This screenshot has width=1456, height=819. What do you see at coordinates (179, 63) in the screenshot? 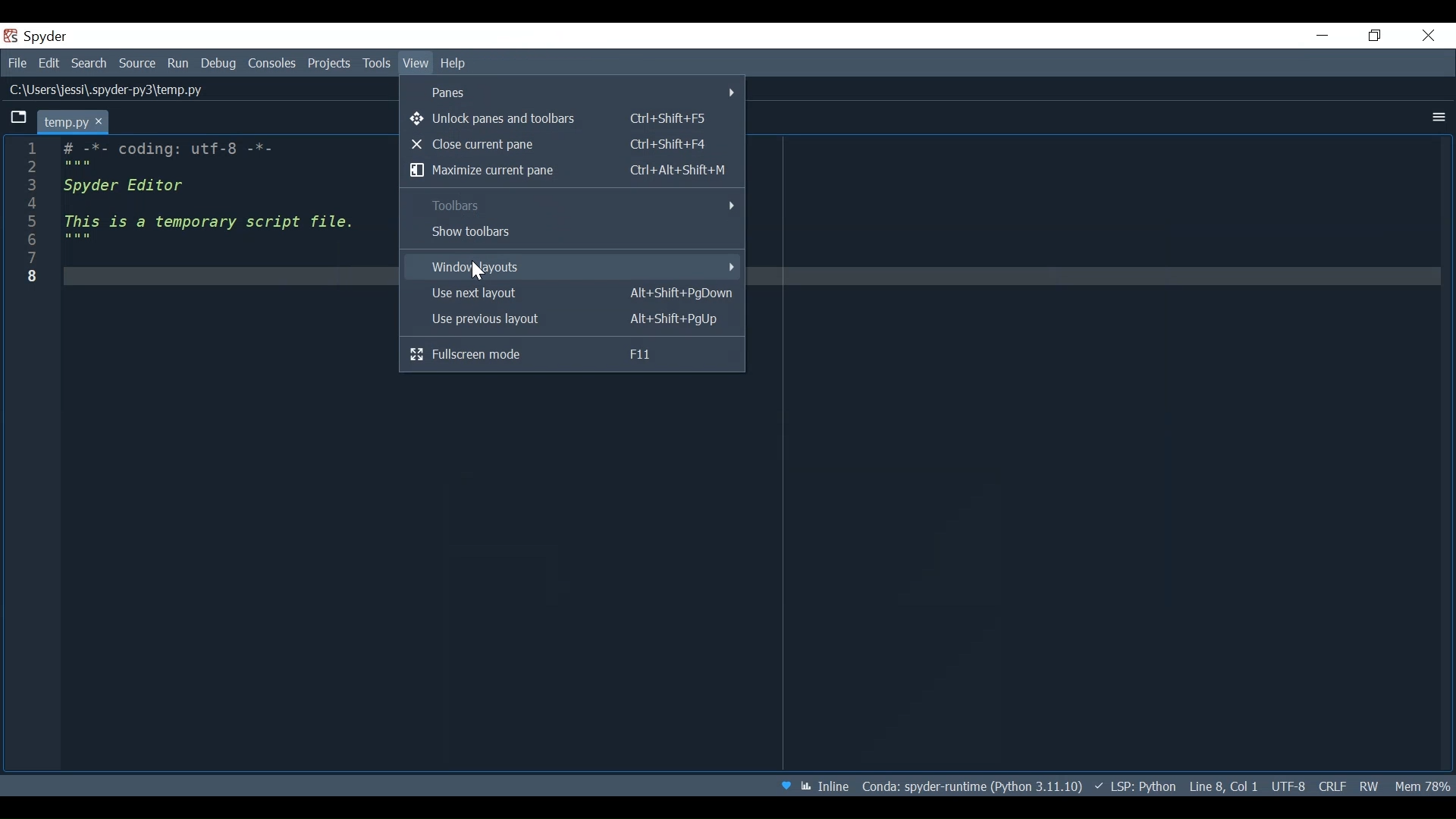
I see `Run` at bounding box center [179, 63].